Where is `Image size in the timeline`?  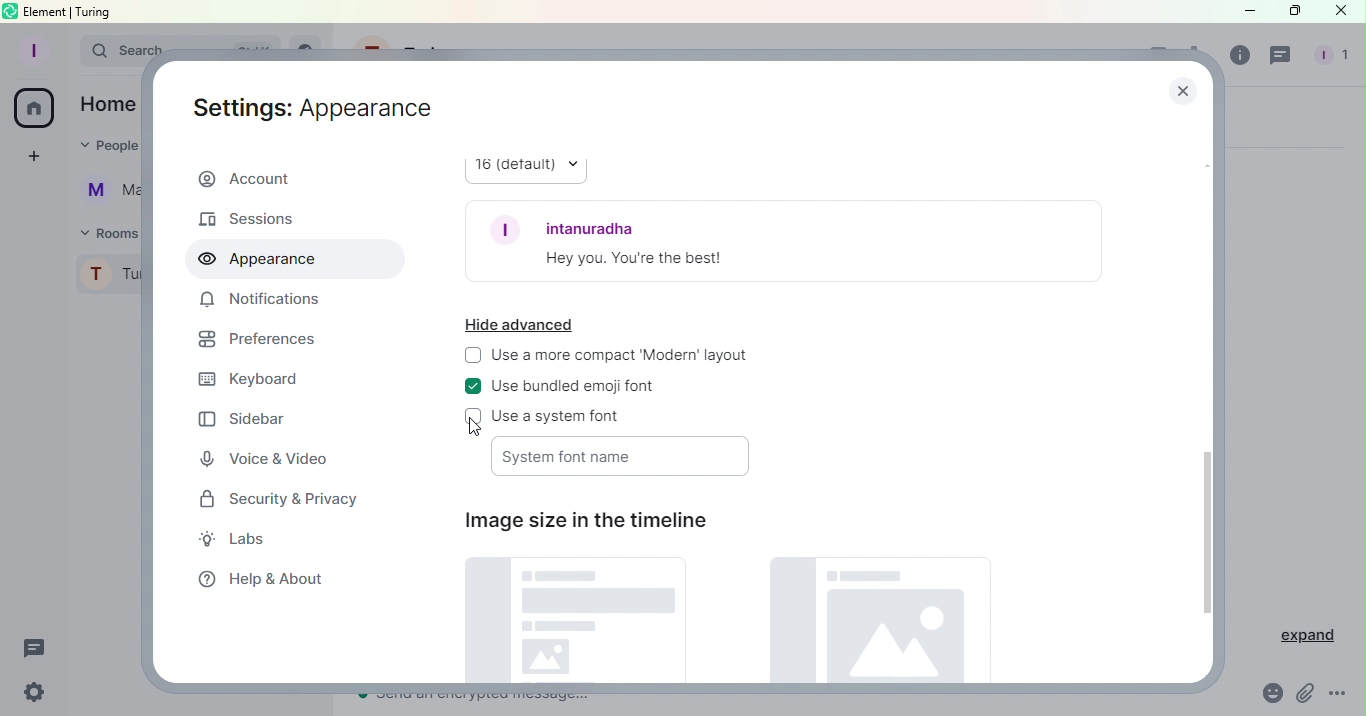 Image size in the timeline is located at coordinates (595, 517).